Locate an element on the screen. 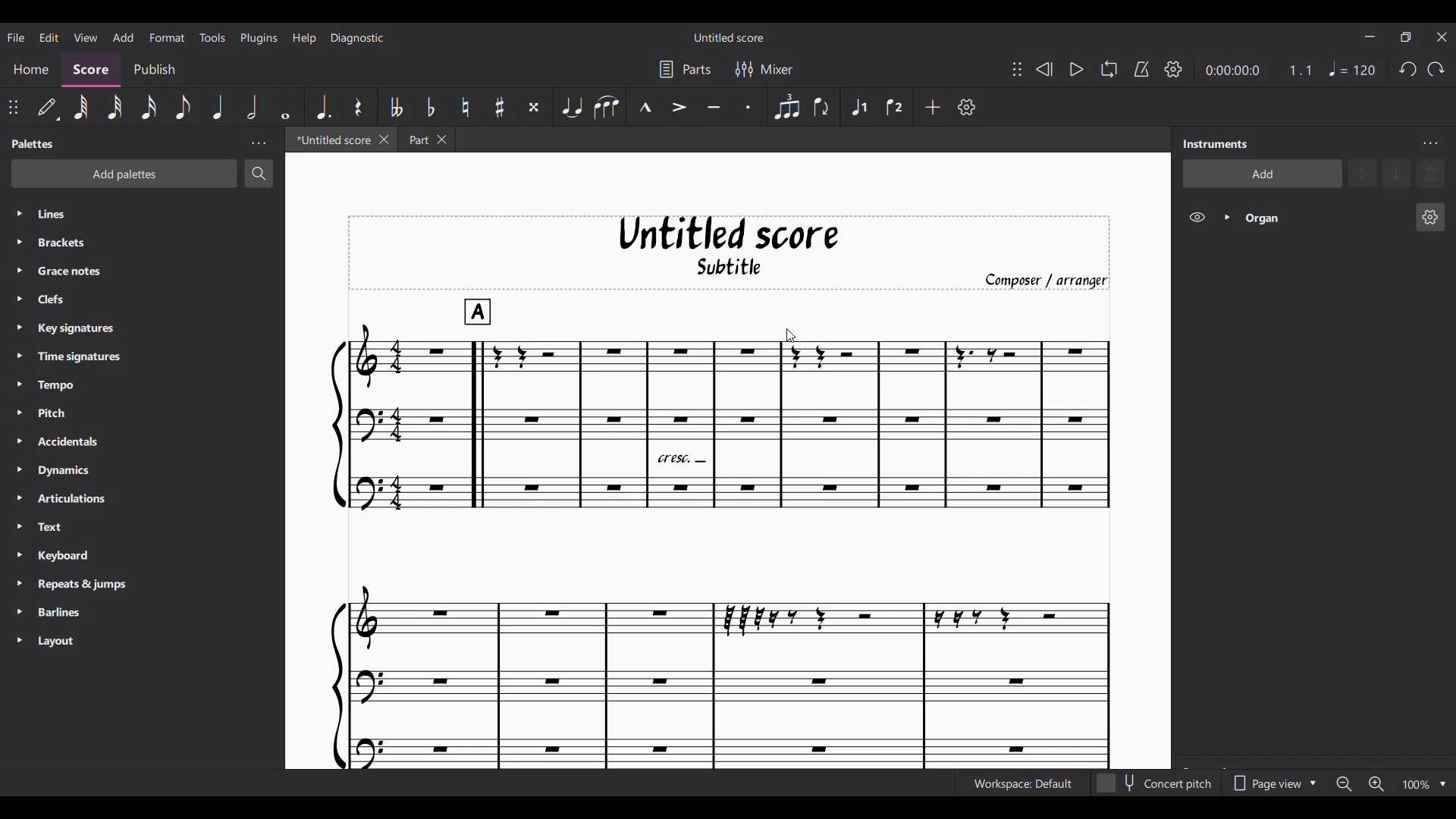 This screenshot has height=819, width=1456. Rewind is located at coordinates (1045, 69).